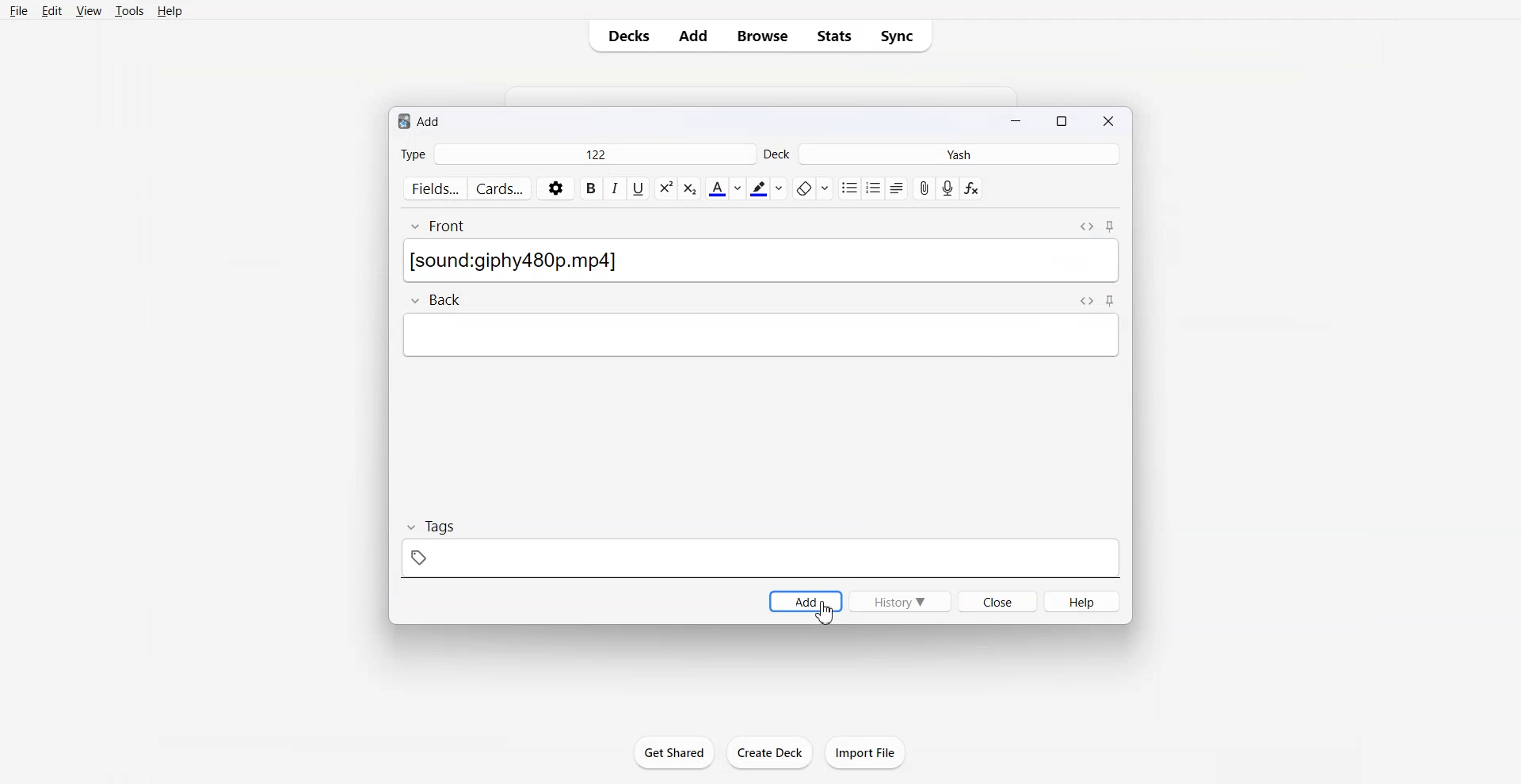  What do you see at coordinates (805, 601) in the screenshot?
I see `Add` at bounding box center [805, 601].